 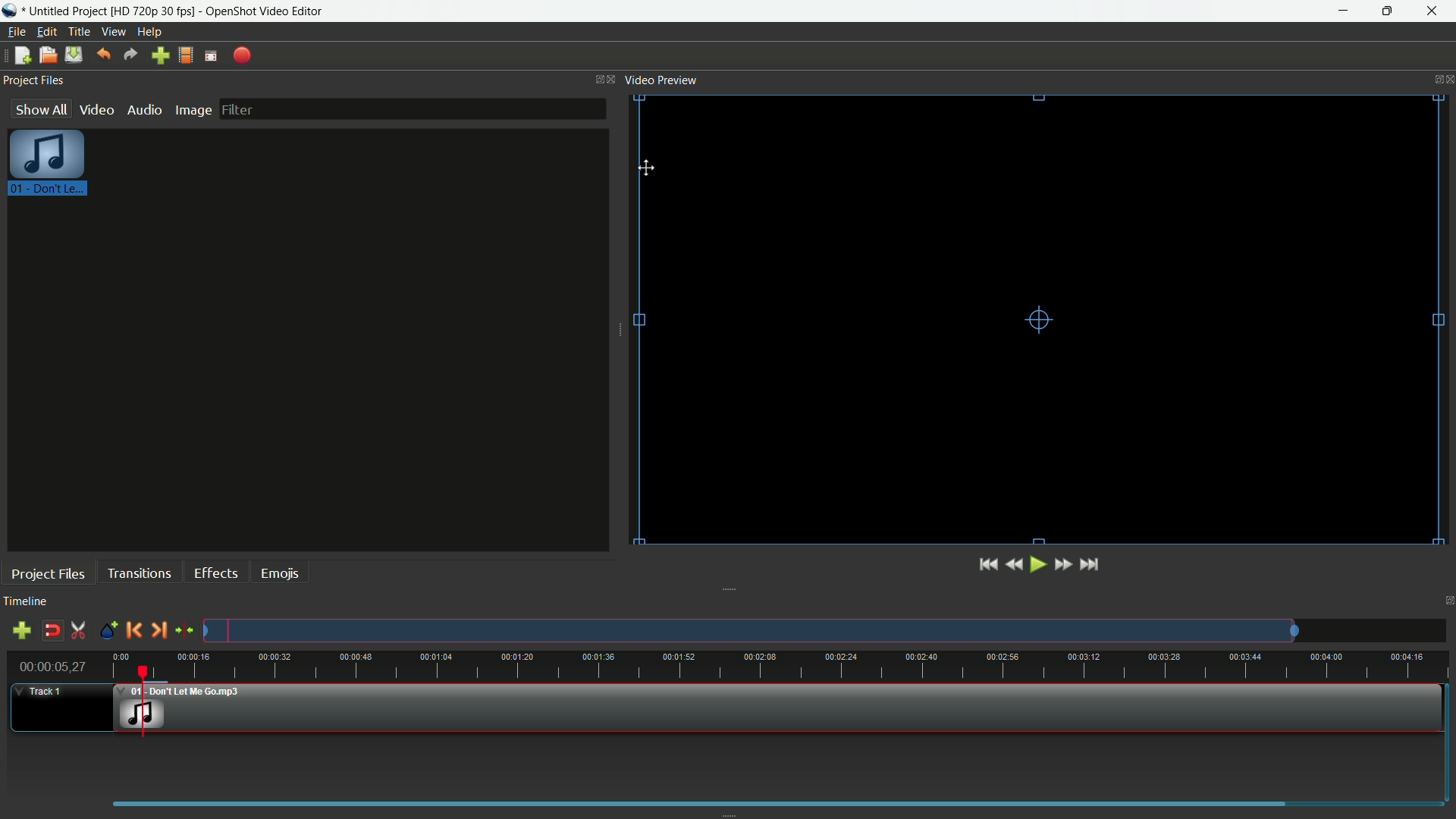 I want to click on image, so click(x=193, y=110).